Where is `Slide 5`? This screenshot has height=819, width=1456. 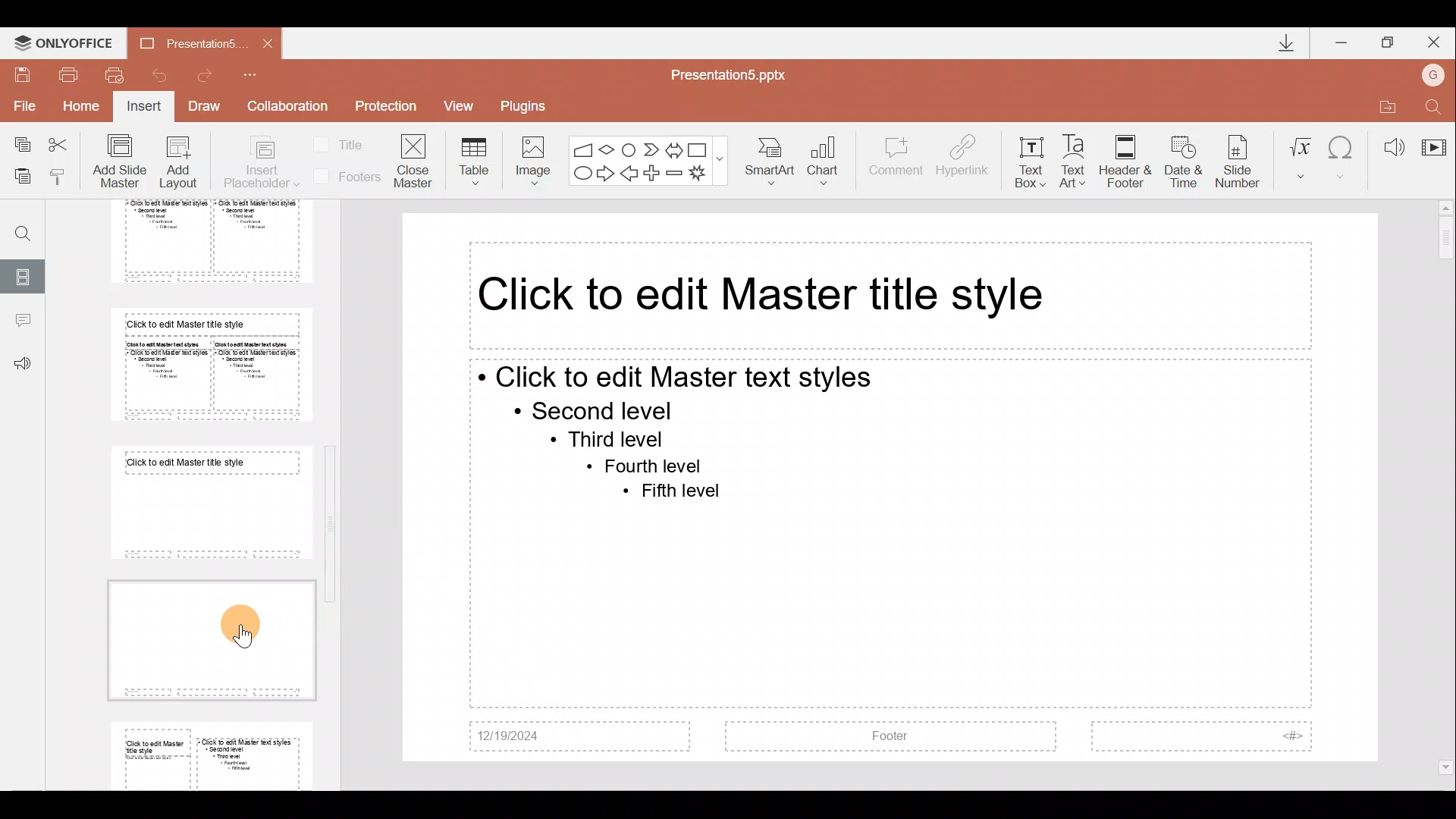
Slide 5 is located at coordinates (199, 242).